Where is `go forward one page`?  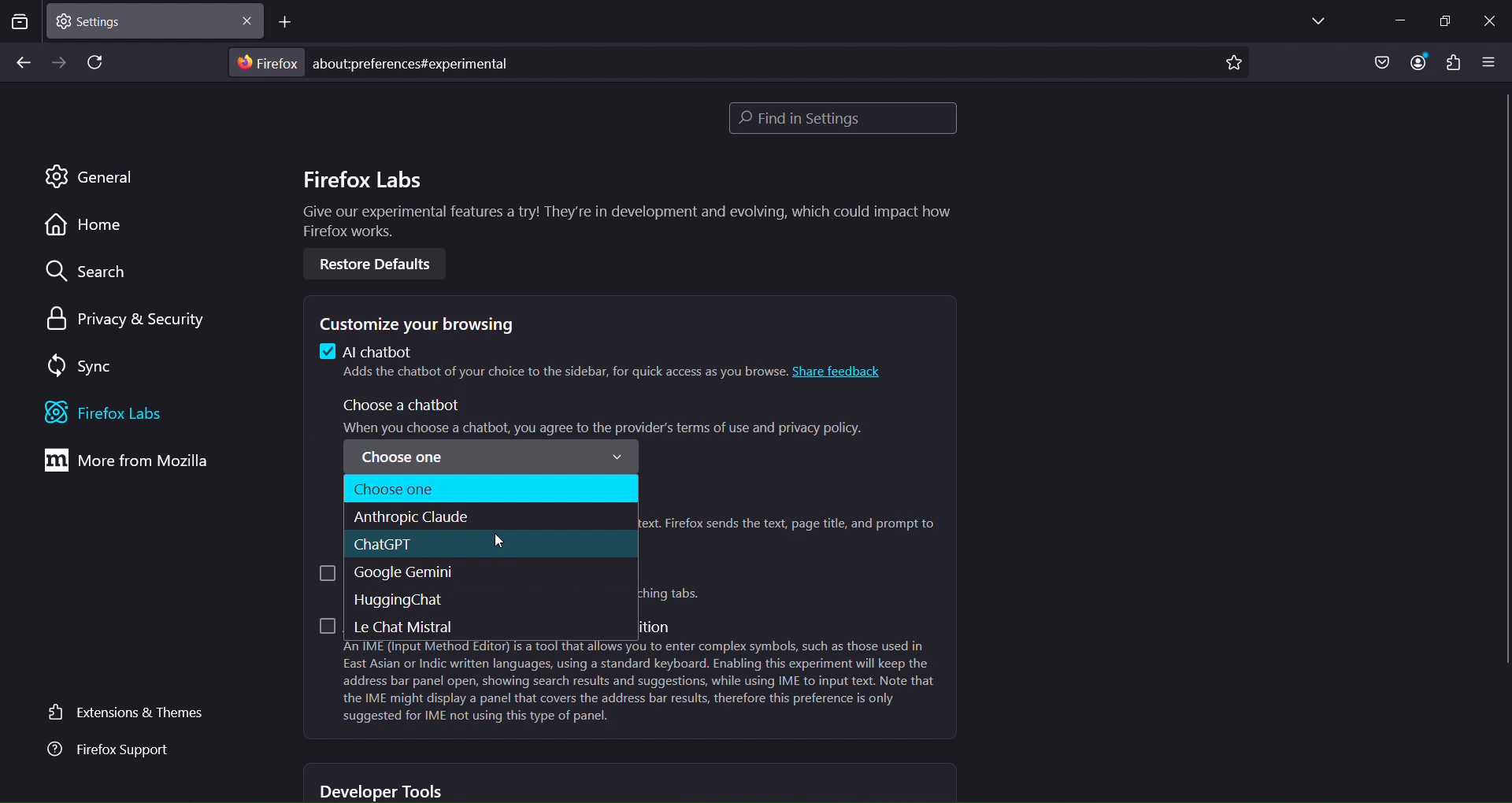 go forward one page is located at coordinates (61, 62).